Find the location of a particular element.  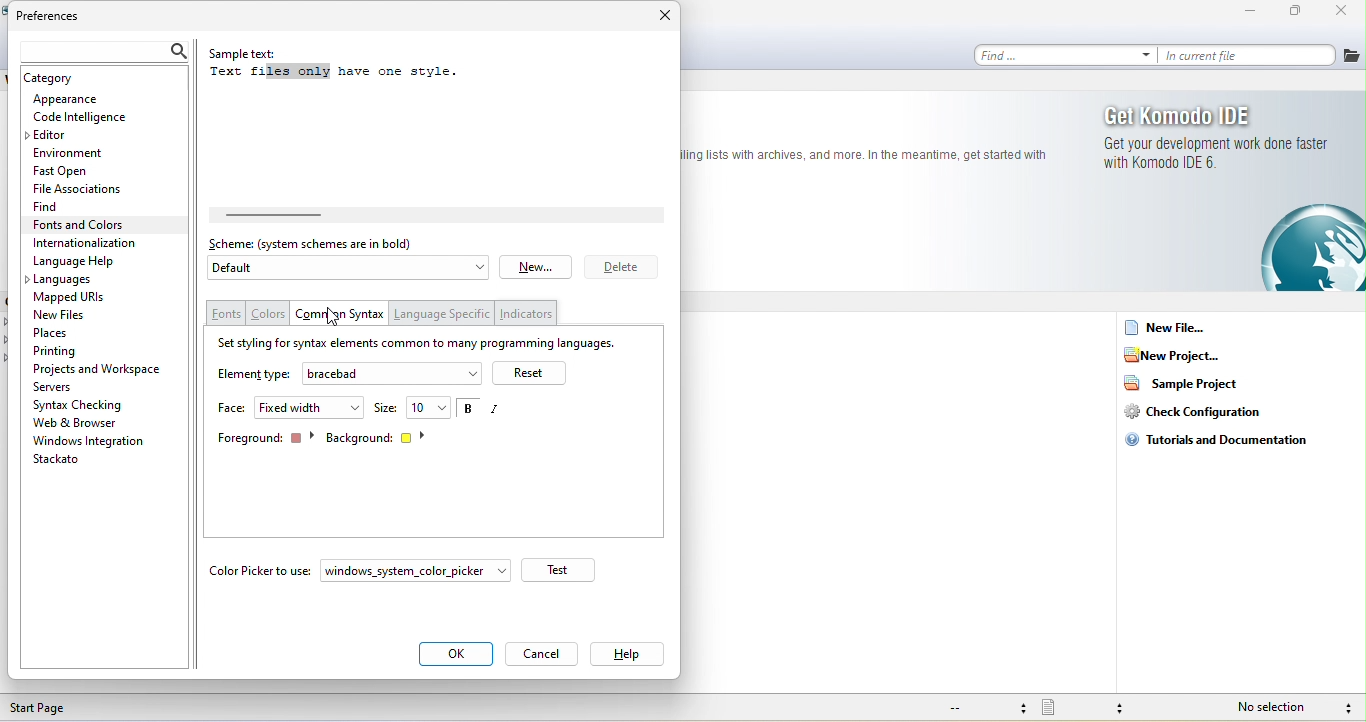

syntax checking is located at coordinates (1346, 707).